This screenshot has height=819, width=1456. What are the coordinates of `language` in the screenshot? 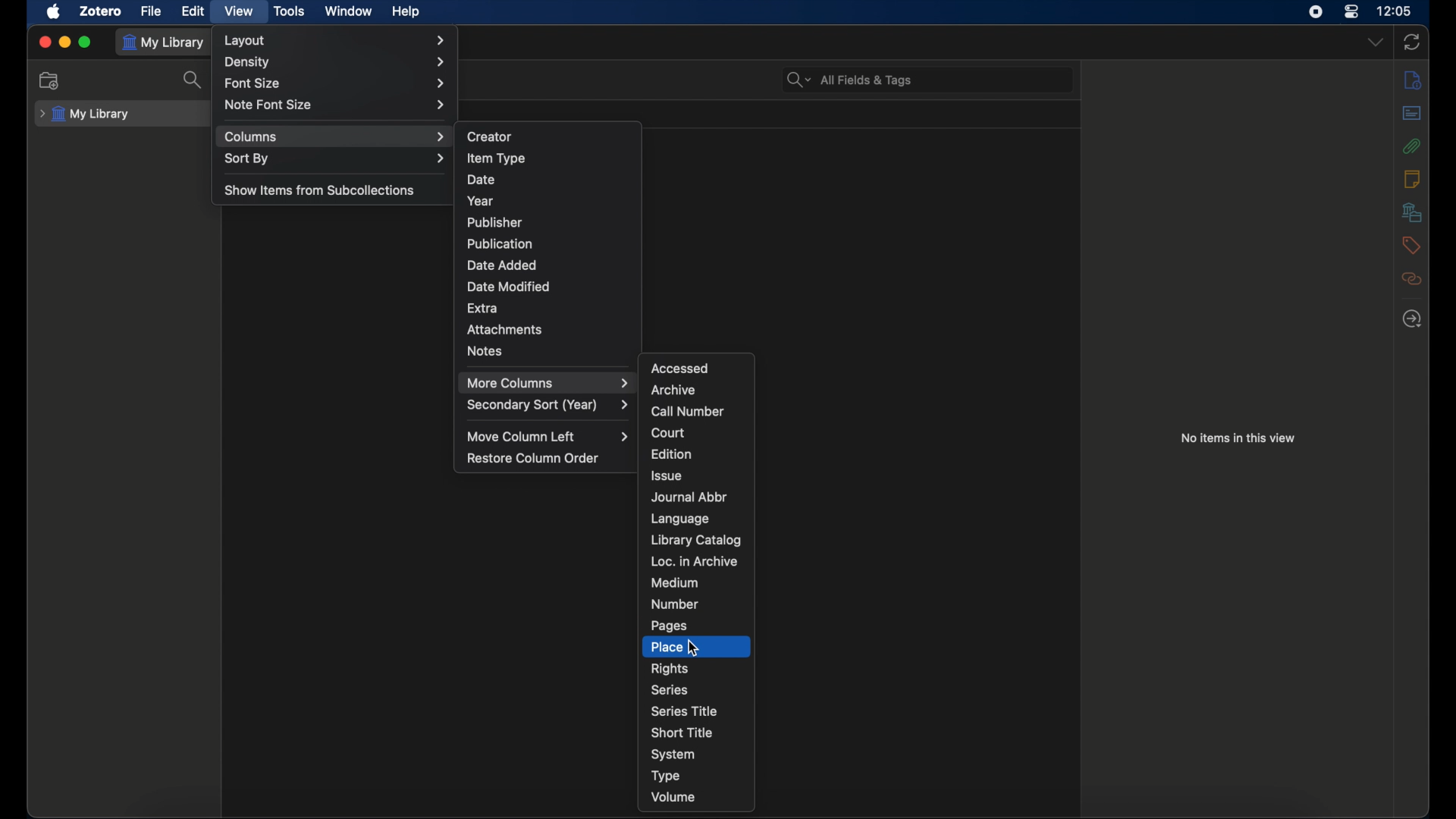 It's located at (681, 519).